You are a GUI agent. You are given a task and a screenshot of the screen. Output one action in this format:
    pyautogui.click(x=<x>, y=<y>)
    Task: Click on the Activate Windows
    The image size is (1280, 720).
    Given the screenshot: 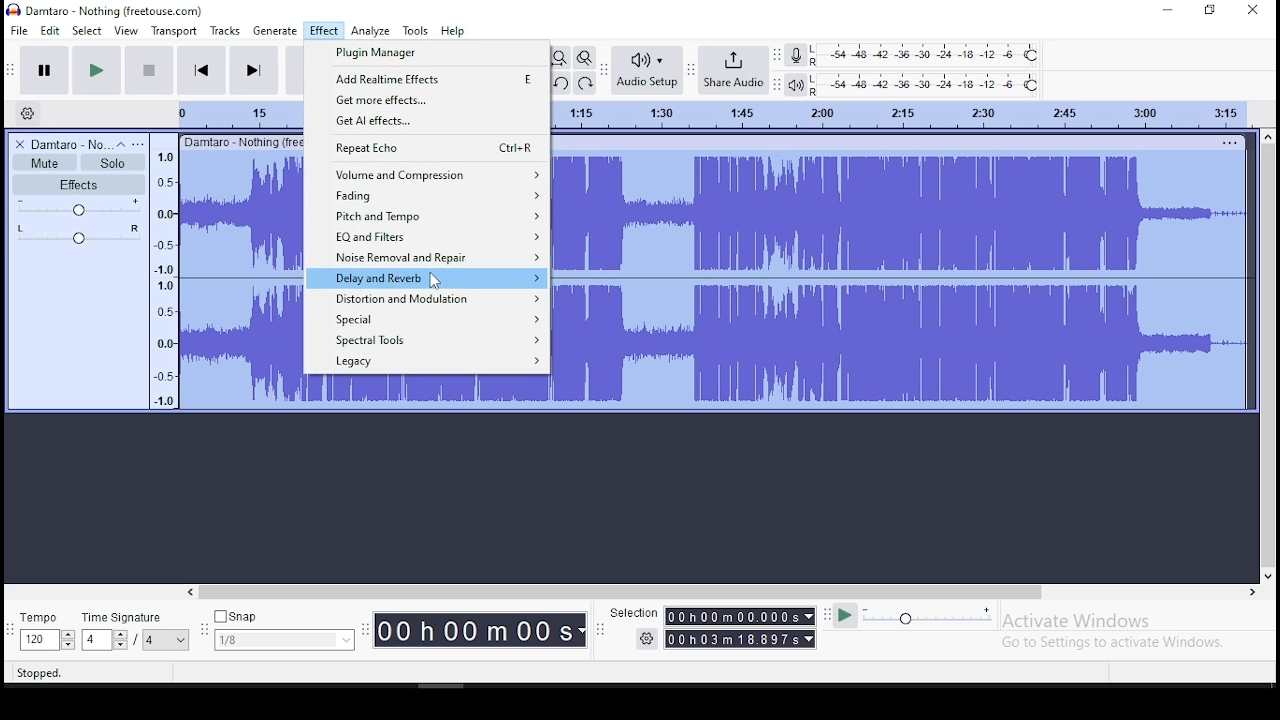 What is the action you would take?
    pyautogui.click(x=1077, y=621)
    